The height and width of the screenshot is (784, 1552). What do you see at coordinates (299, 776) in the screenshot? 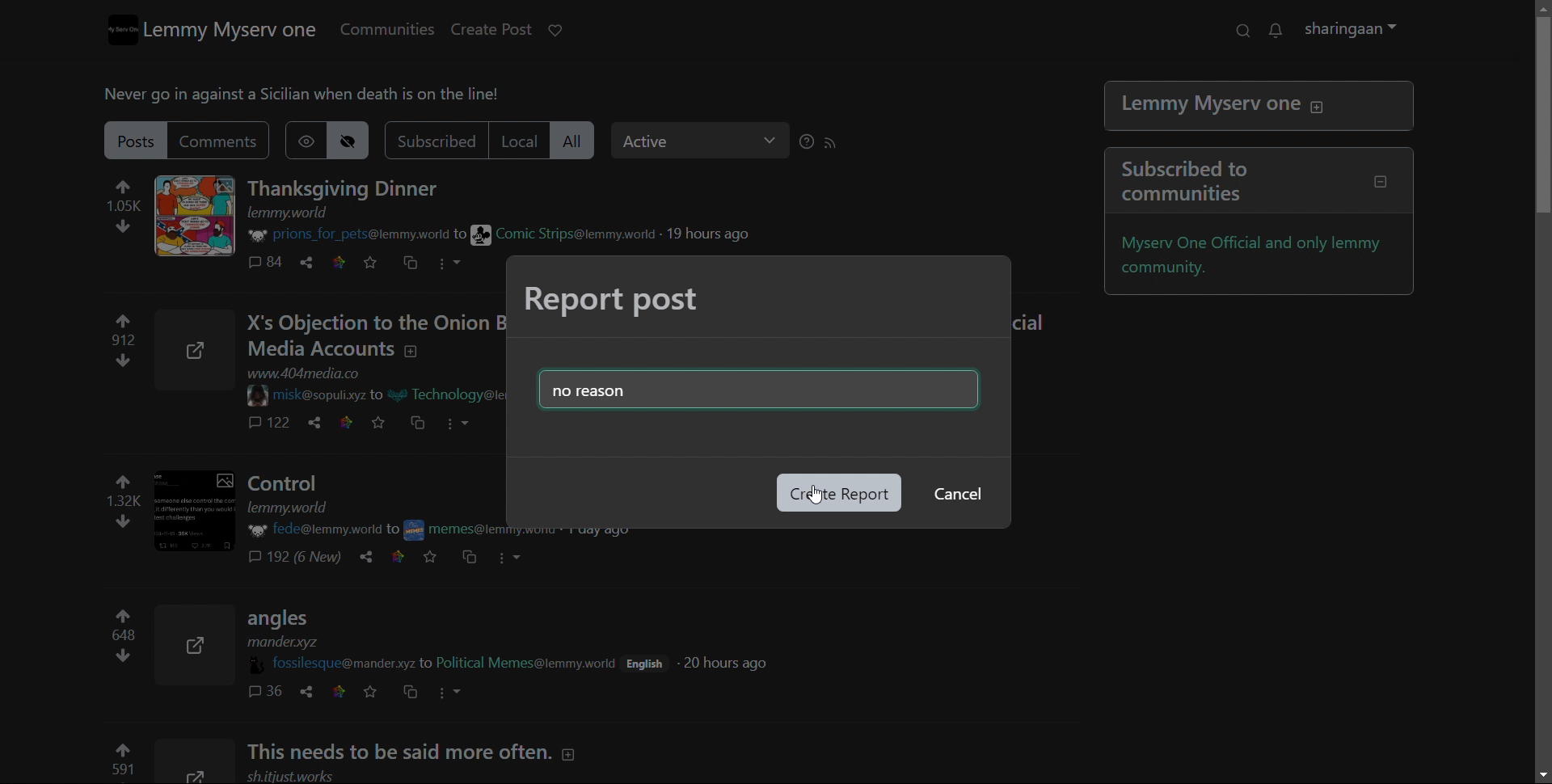
I see `url` at bounding box center [299, 776].